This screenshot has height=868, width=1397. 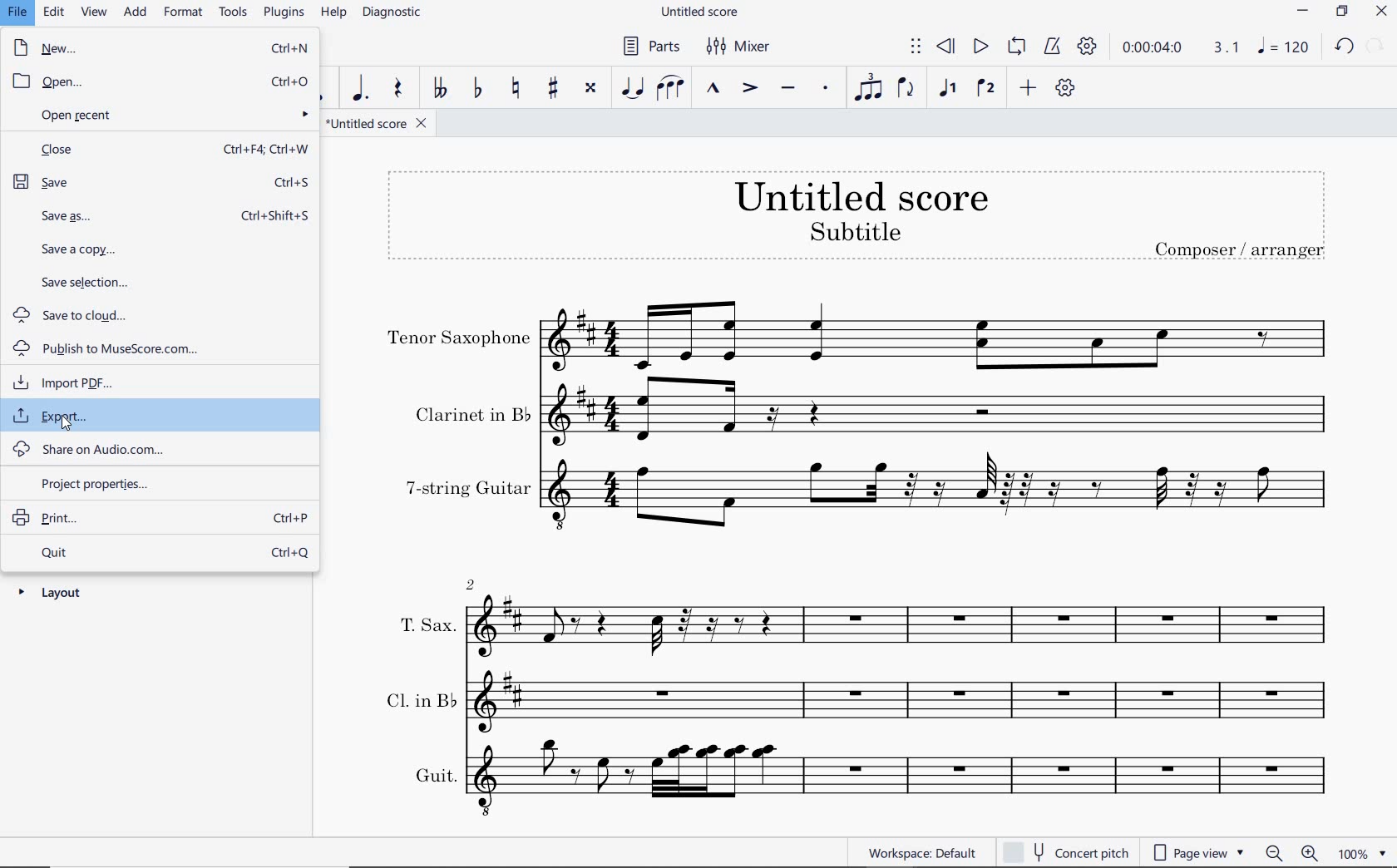 I want to click on Clarinet in b, so click(x=860, y=416).